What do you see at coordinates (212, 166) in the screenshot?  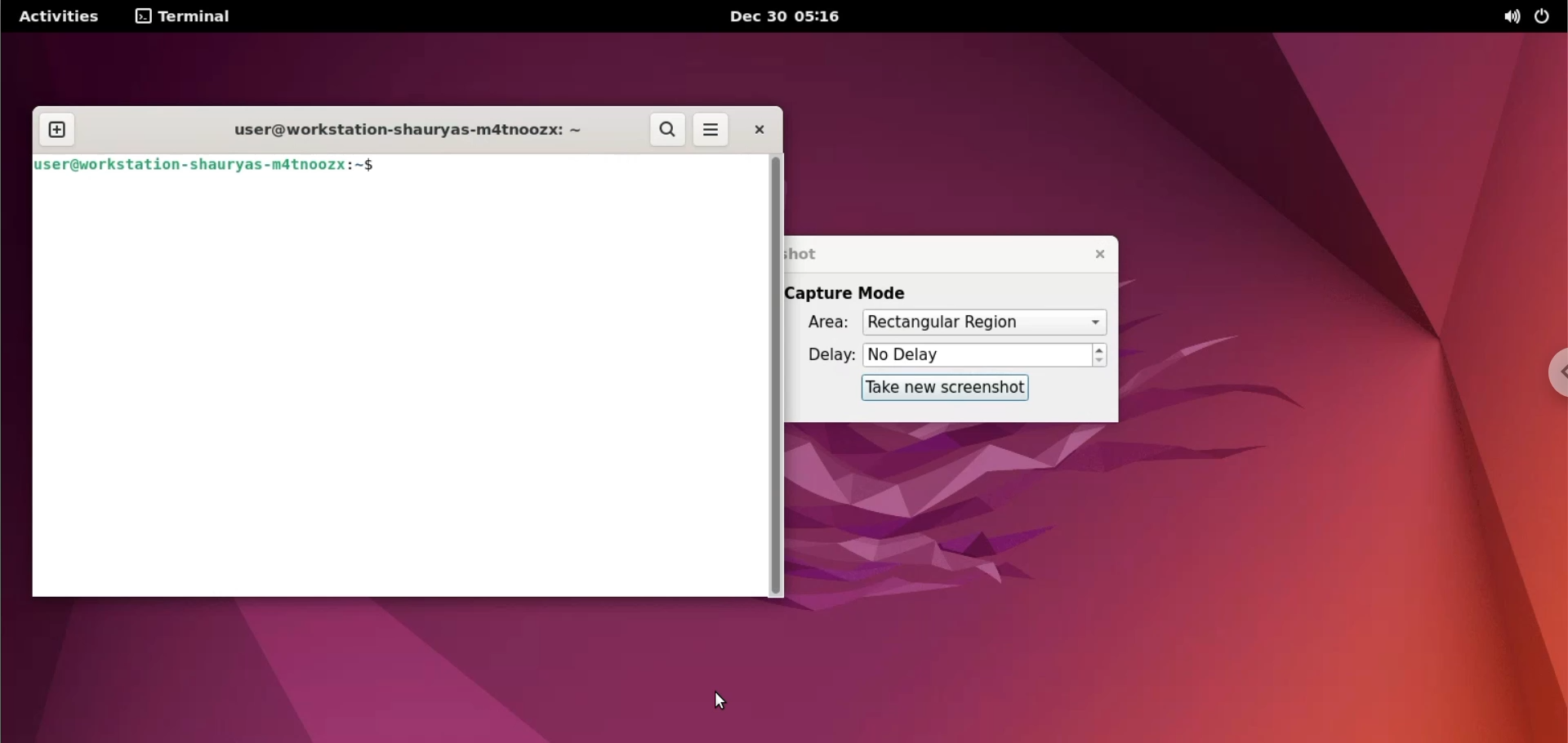 I see `user@workstation-shaurya-m4tnooz:~$` at bounding box center [212, 166].